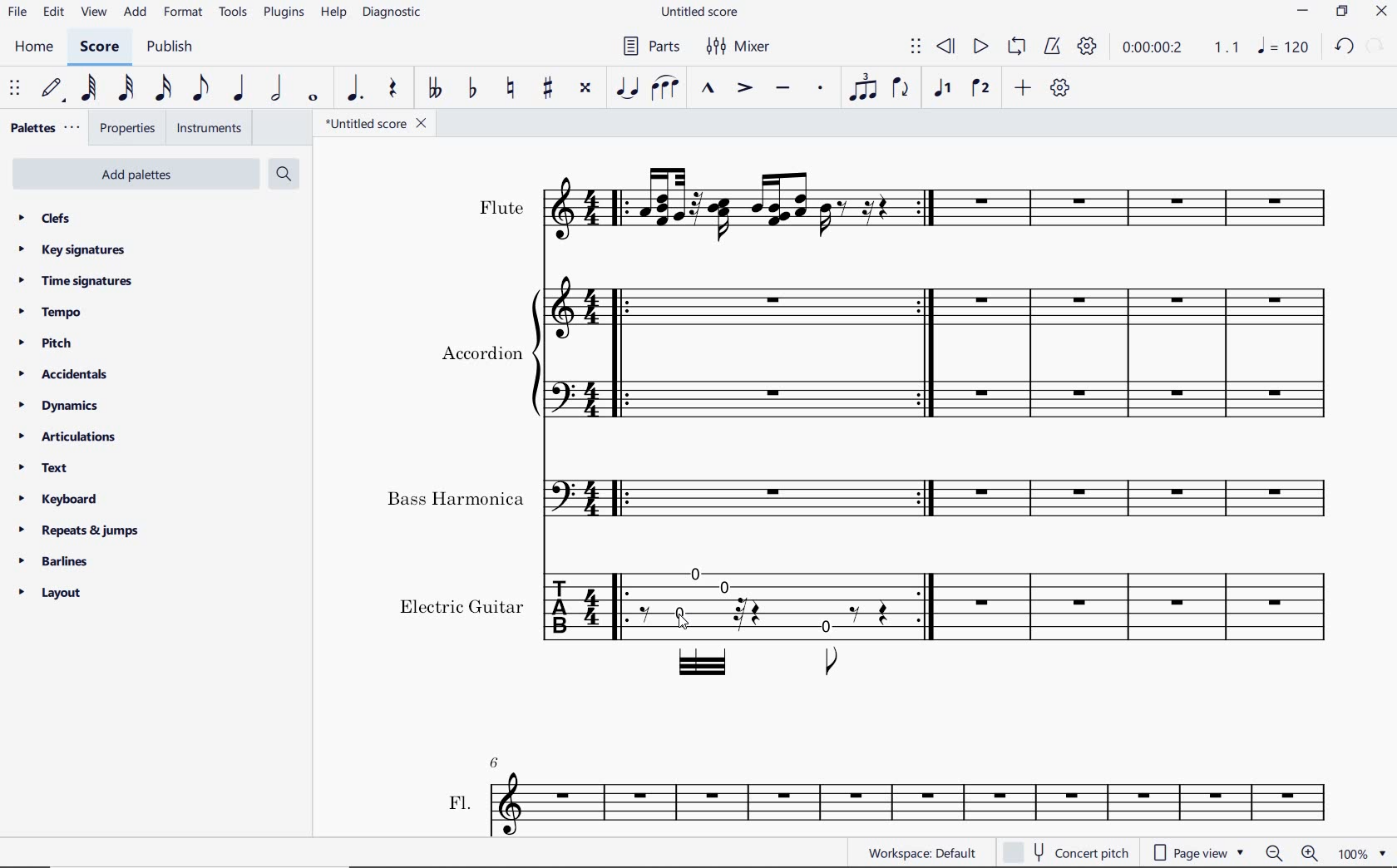 Image resolution: width=1397 pixels, height=868 pixels. What do you see at coordinates (392, 91) in the screenshot?
I see `rest` at bounding box center [392, 91].